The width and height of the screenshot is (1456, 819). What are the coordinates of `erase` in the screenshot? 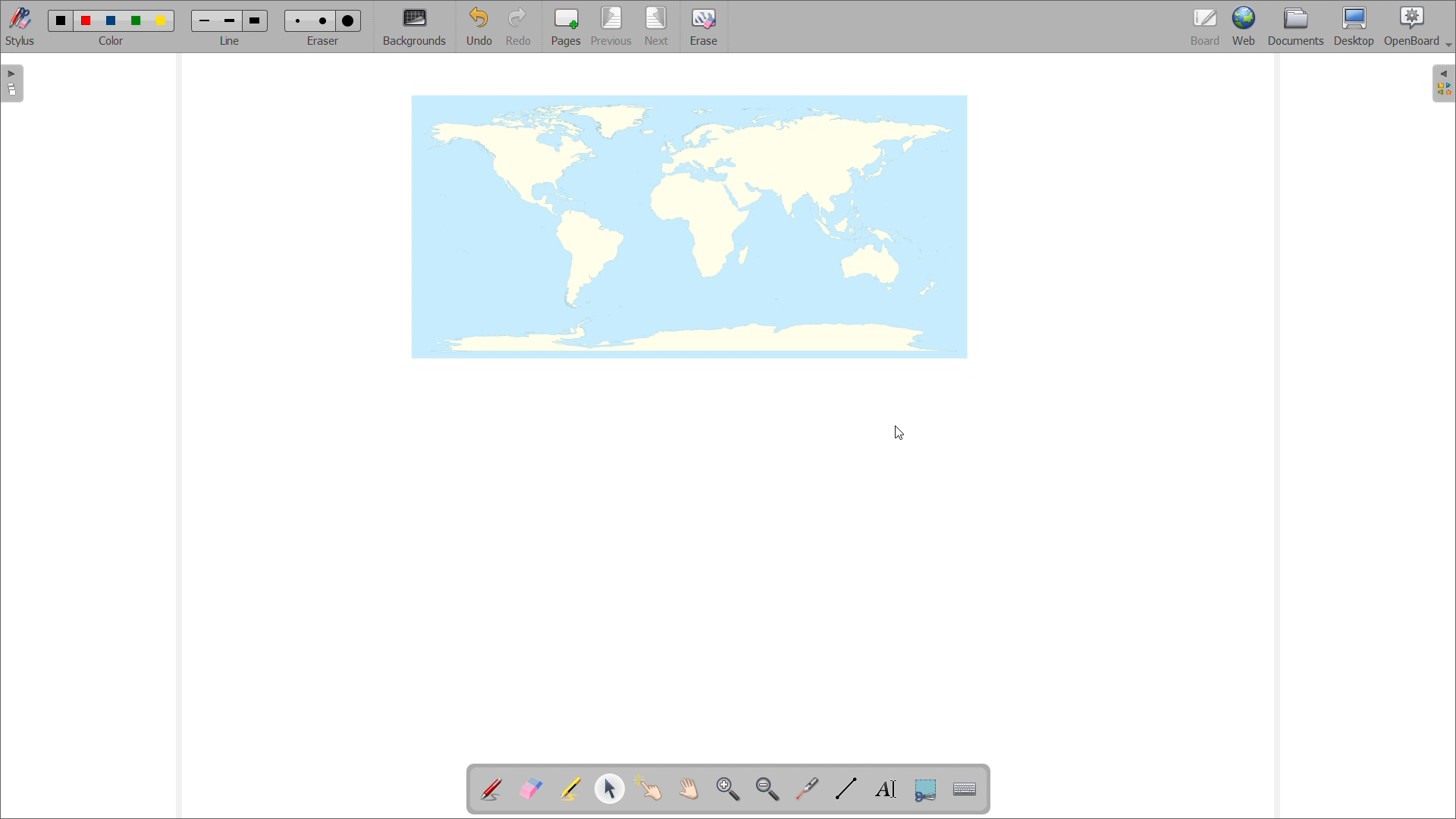 It's located at (704, 27).